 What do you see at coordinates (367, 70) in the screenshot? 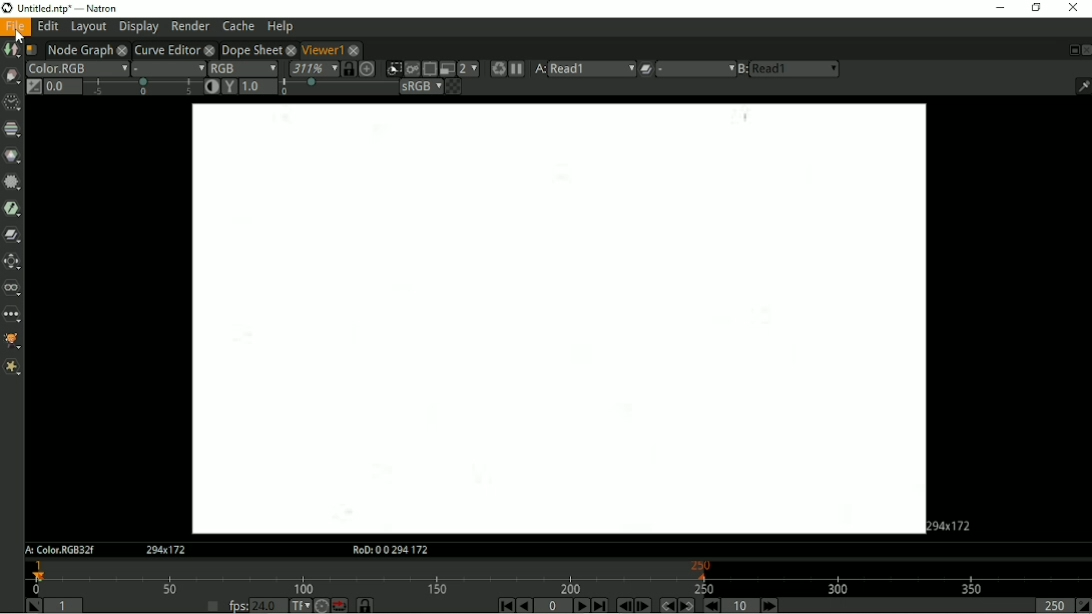
I see `Scale image` at bounding box center [367, 70].